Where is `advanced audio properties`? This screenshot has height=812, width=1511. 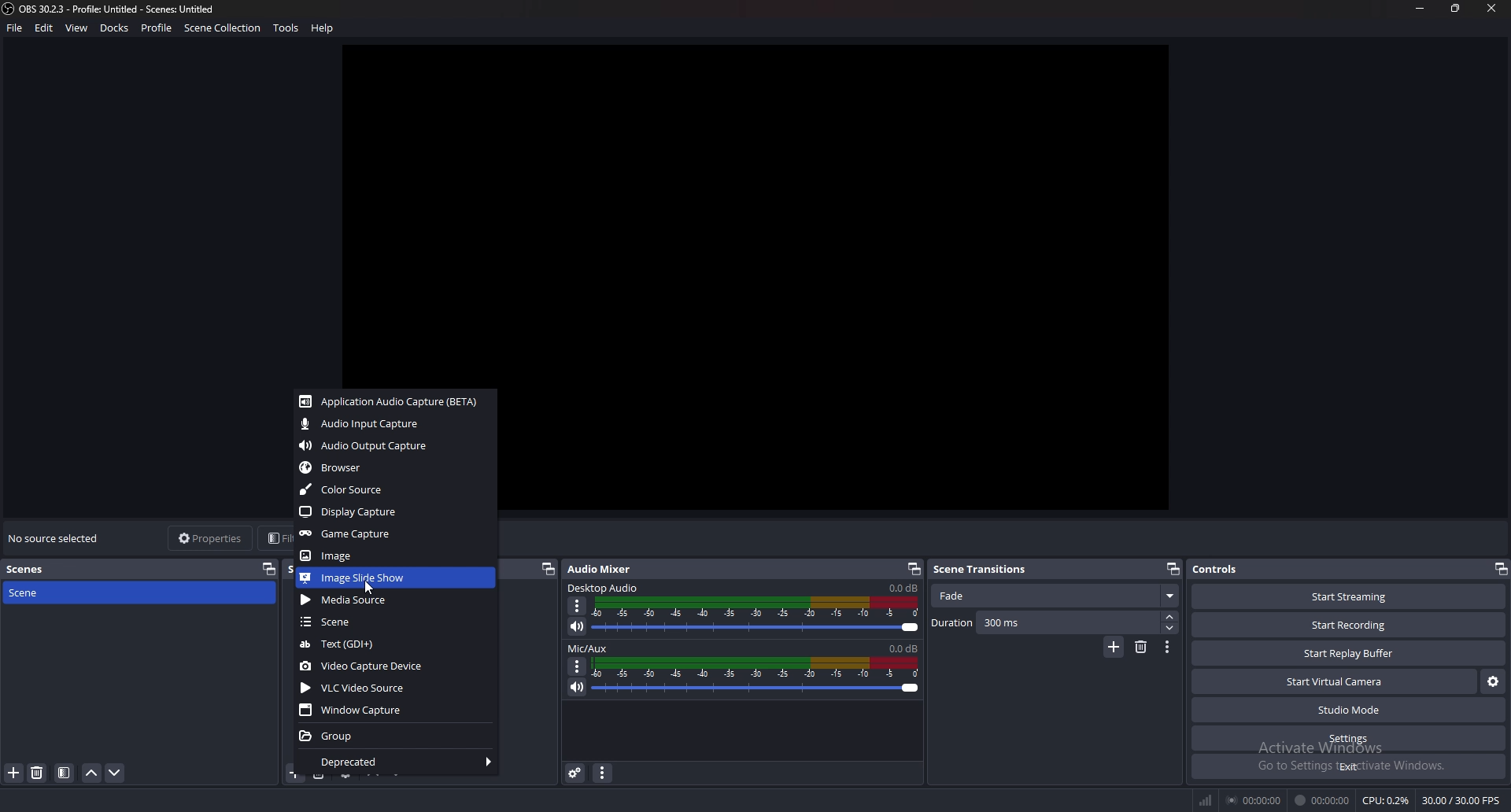 advanced audio properties is located at coordinates (574, 773).